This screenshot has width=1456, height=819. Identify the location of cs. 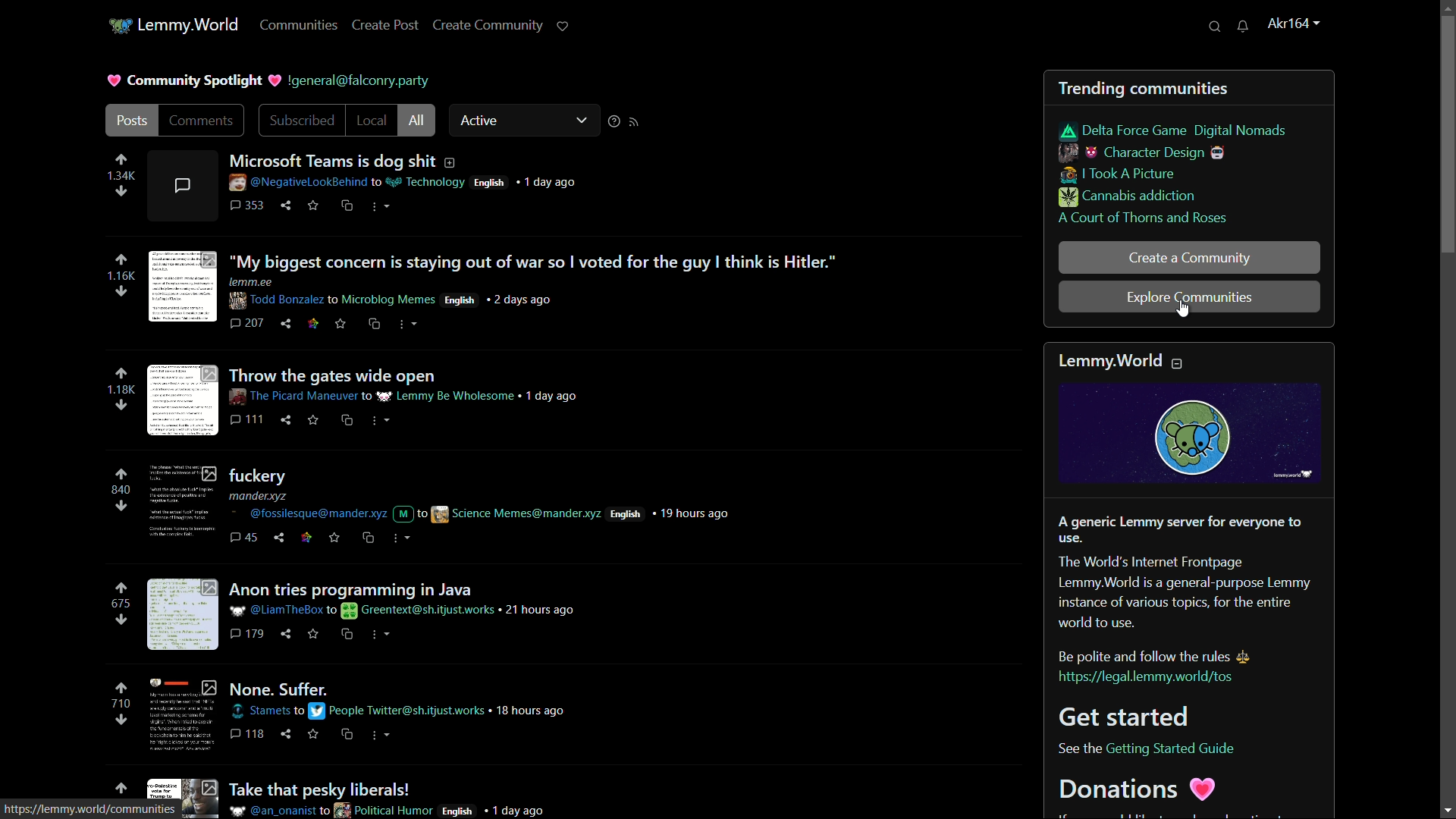
(347, 734).